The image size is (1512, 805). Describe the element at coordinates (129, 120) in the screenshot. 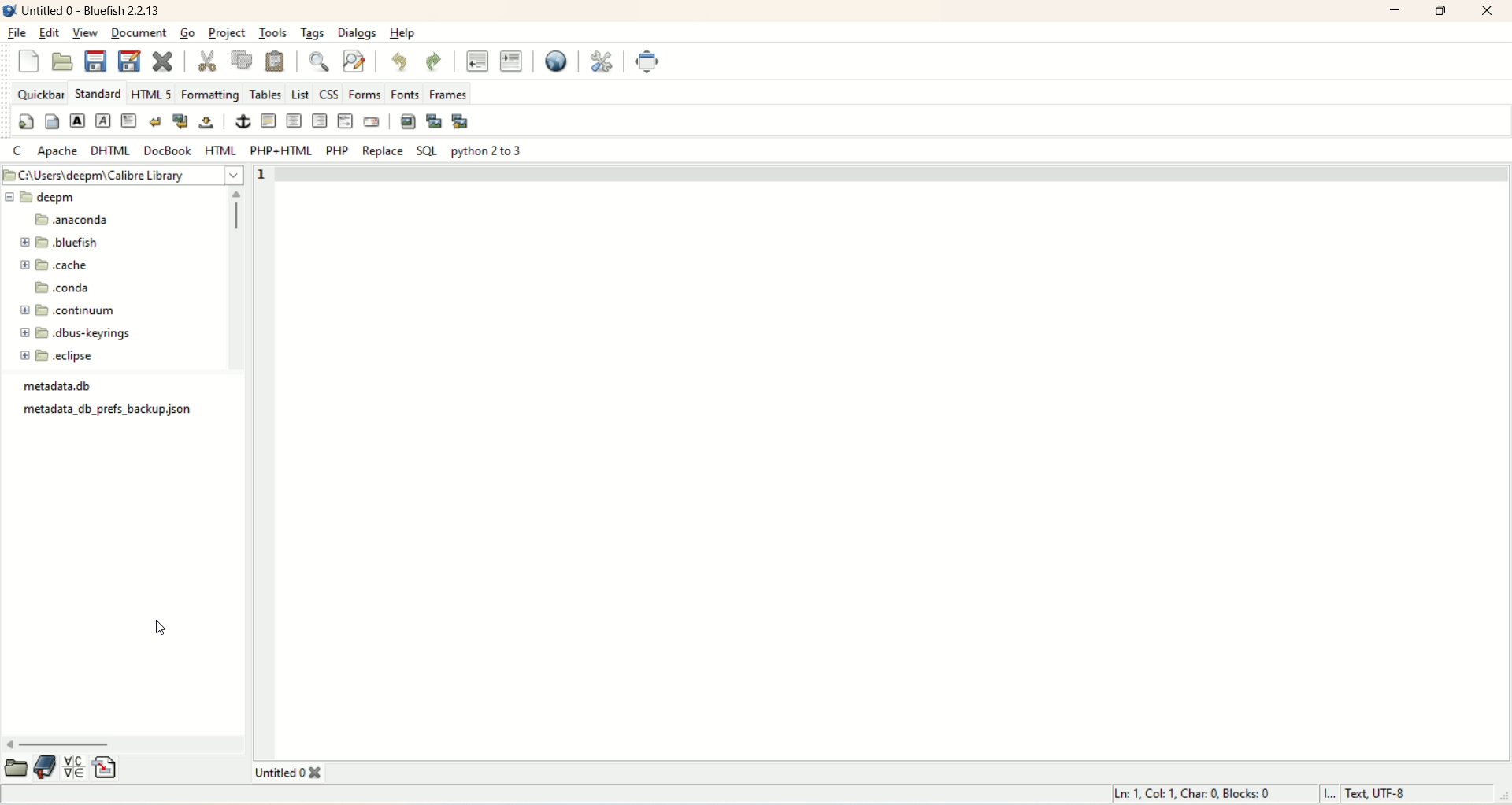

I see `paragraph` at that location.